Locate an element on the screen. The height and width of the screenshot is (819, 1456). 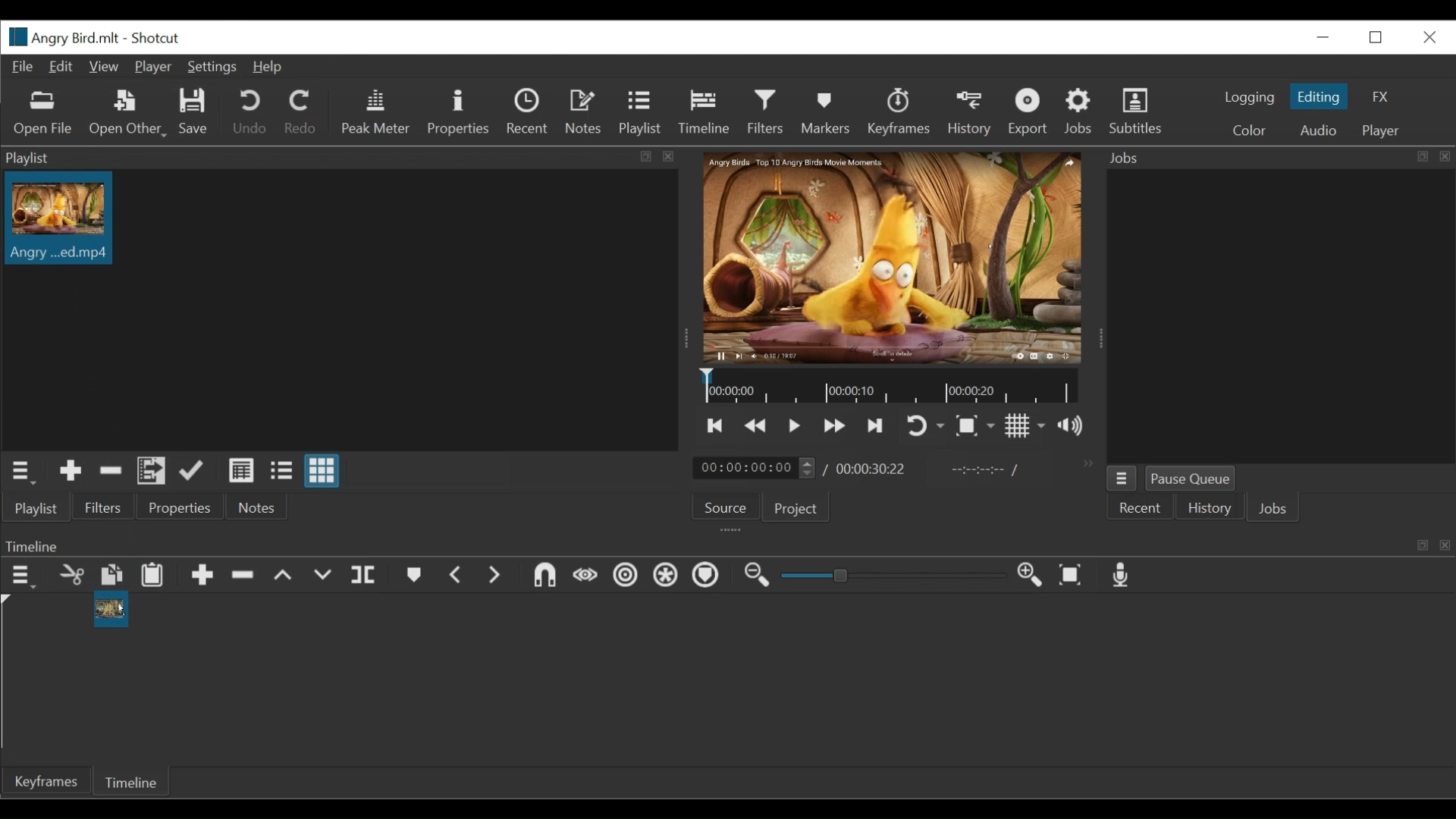
Toggle play or pause (space) is located at coordinates (793, 425).